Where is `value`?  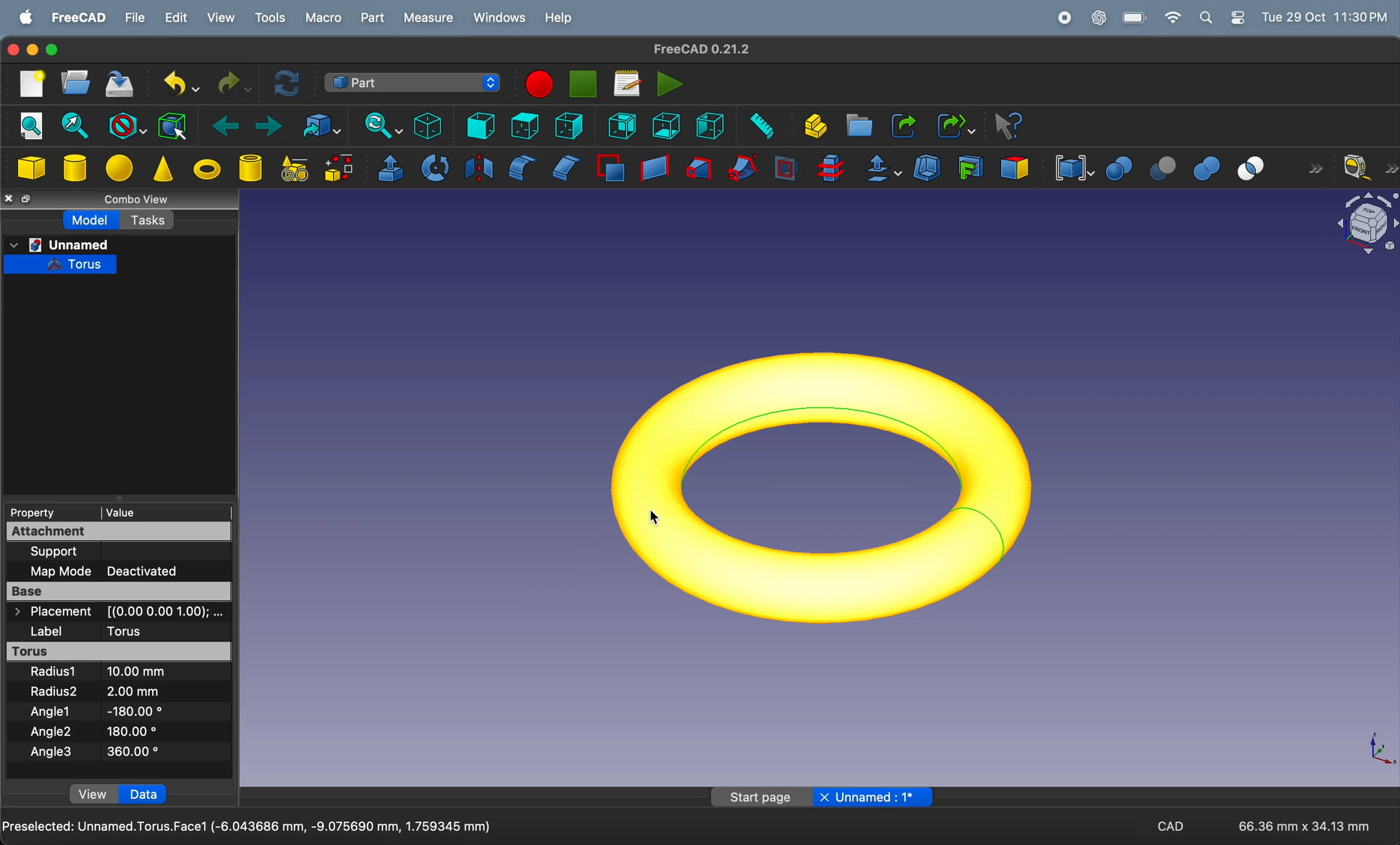 value is located at coordinates (163, 513).